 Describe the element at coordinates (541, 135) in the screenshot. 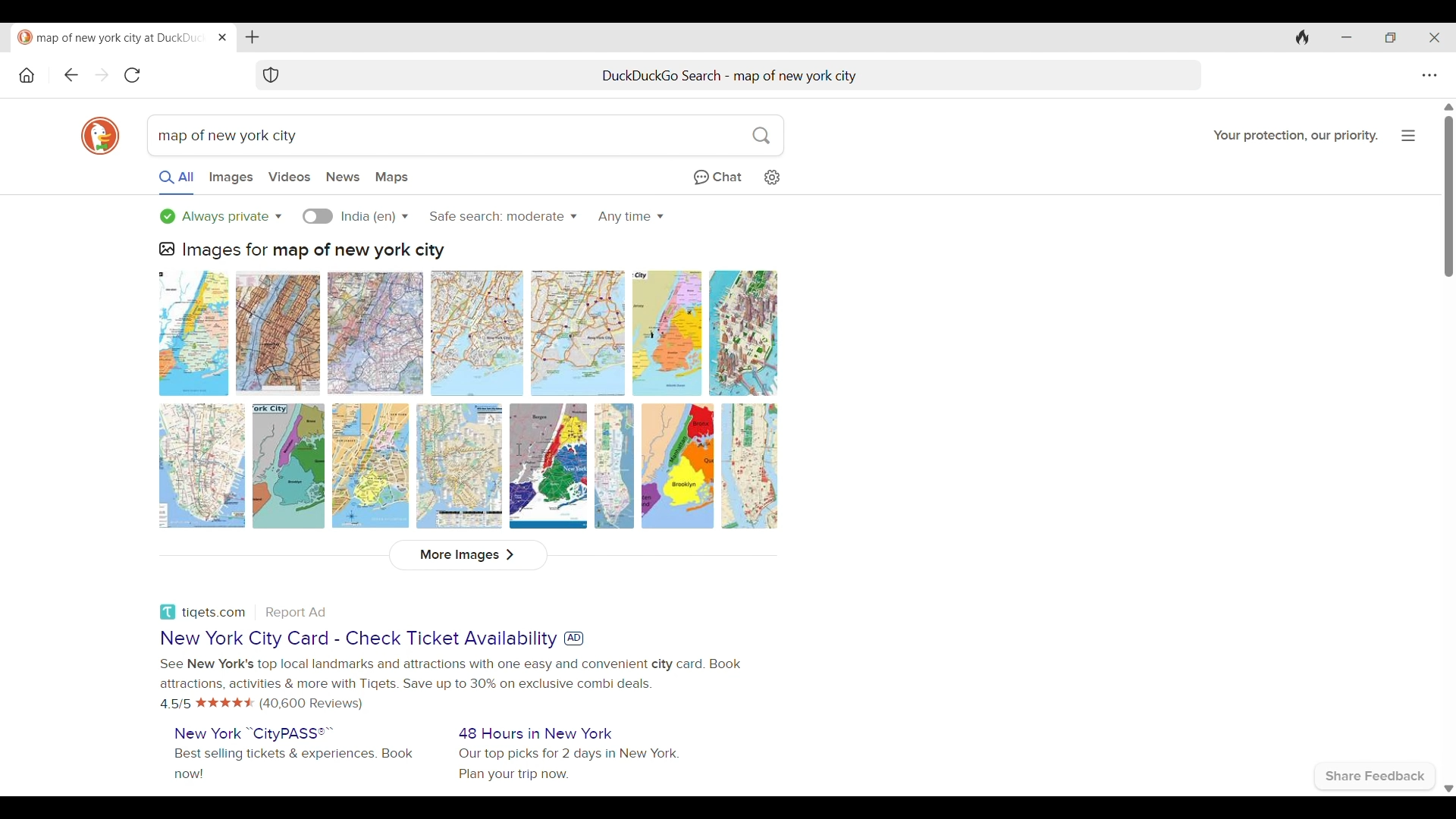

I see `Search box` at that location.